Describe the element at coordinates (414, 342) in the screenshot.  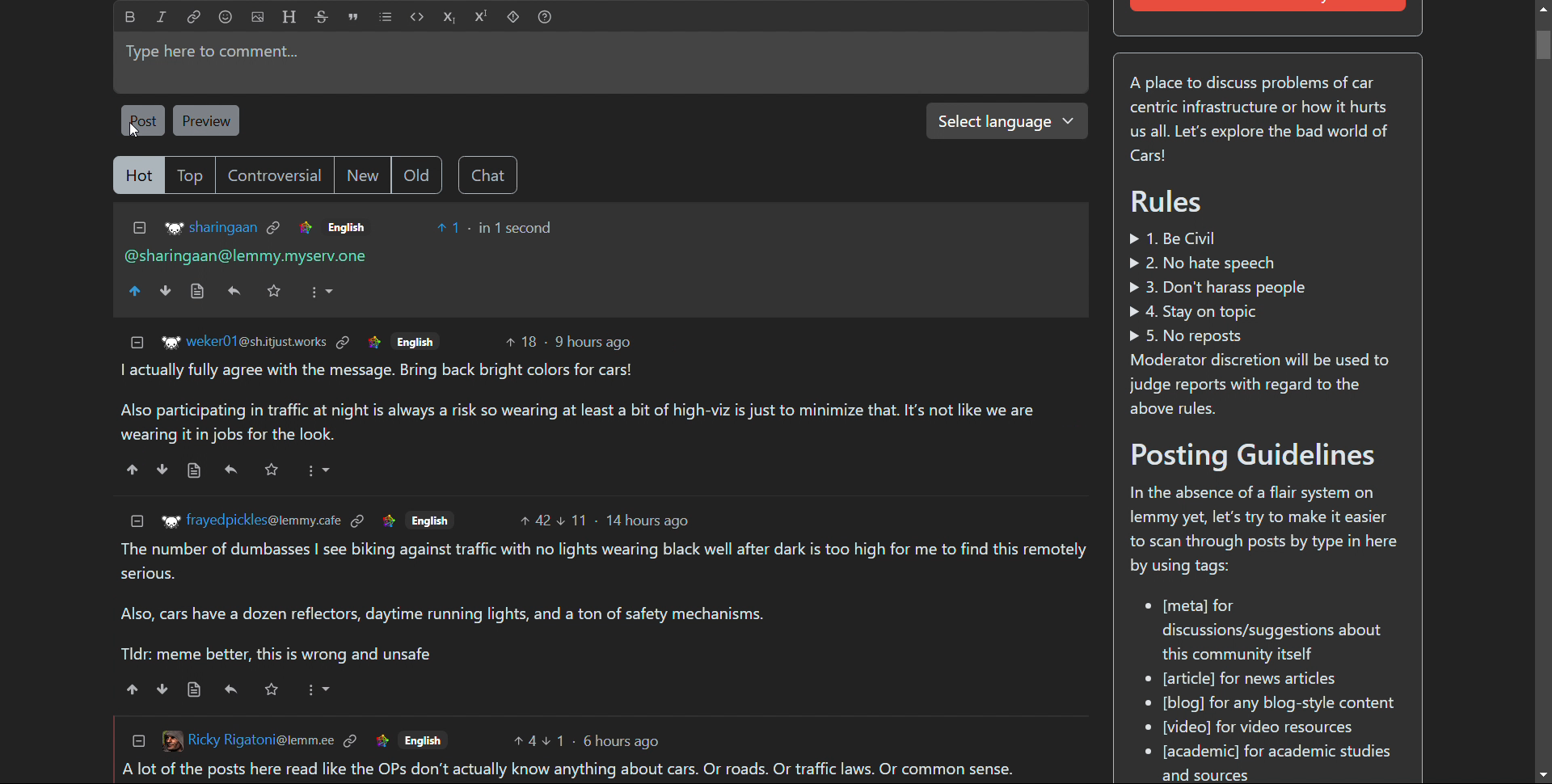
I see `English` at that location.